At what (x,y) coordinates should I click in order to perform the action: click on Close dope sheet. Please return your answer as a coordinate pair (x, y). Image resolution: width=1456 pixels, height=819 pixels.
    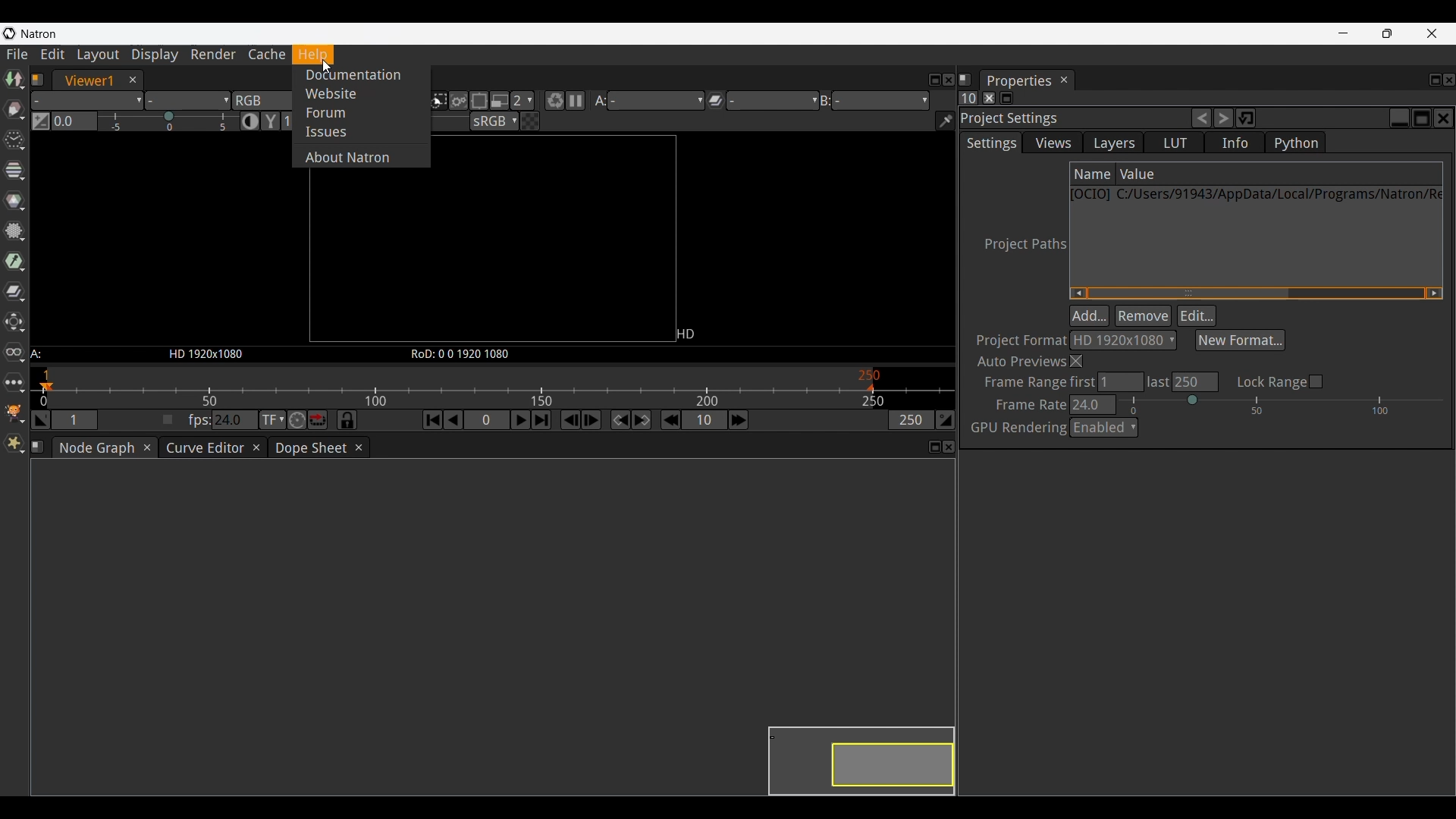
    Looking at the image, I should click on (358, 448).